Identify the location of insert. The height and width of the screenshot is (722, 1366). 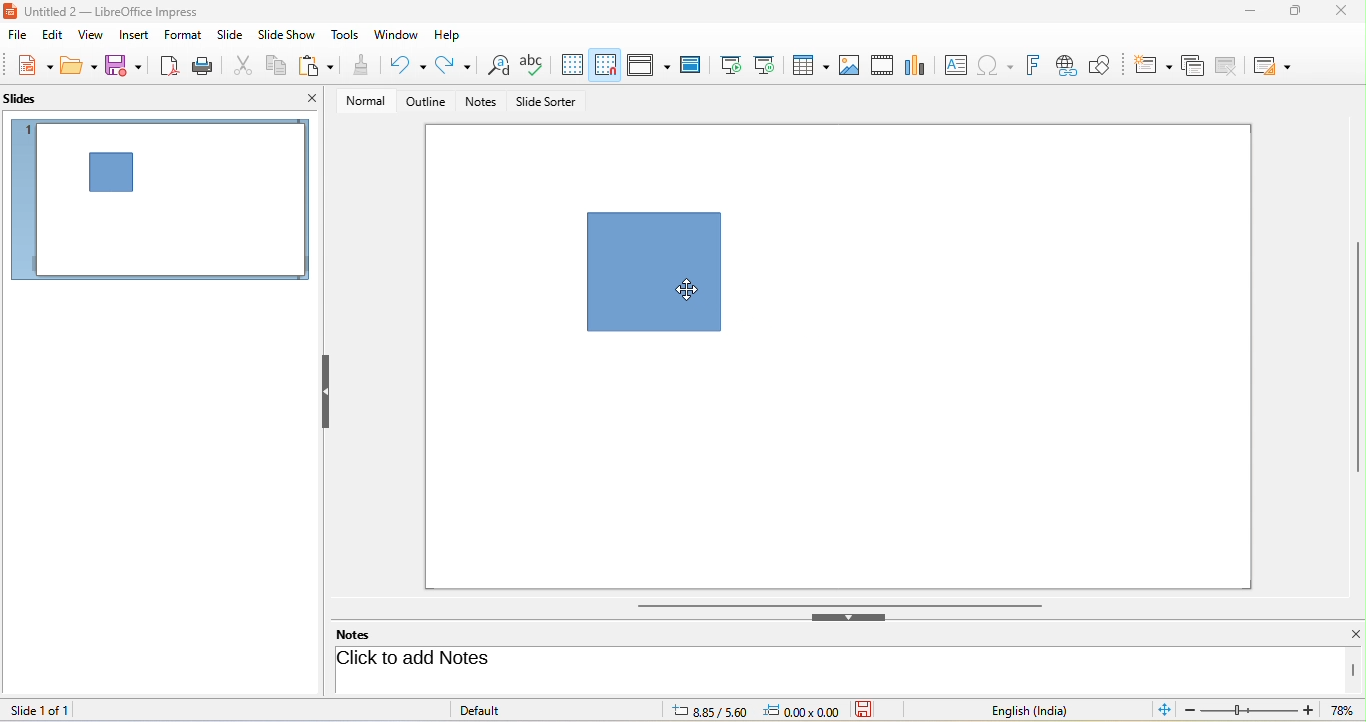
(132, 35).